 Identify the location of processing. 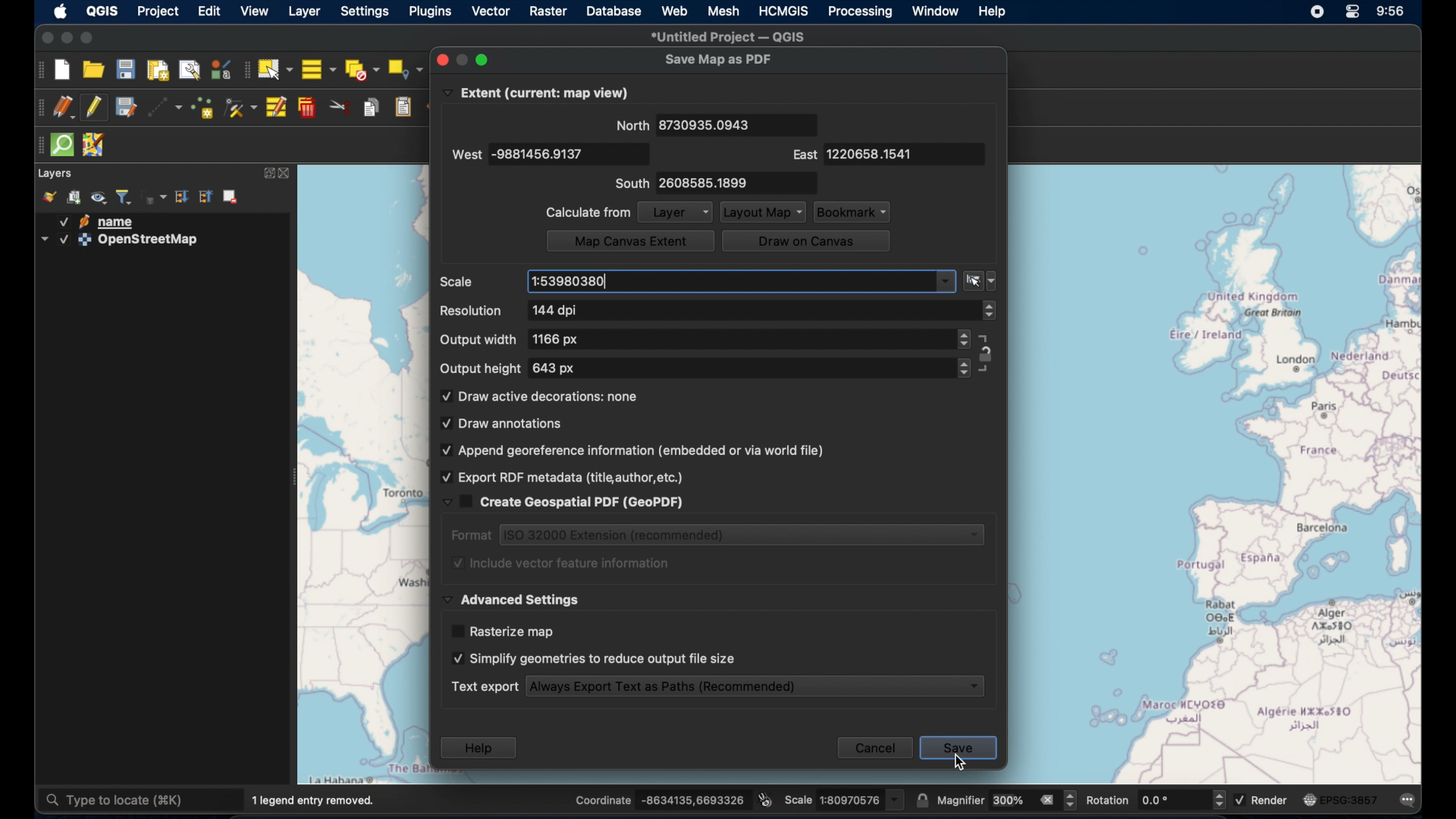
(861, 13).